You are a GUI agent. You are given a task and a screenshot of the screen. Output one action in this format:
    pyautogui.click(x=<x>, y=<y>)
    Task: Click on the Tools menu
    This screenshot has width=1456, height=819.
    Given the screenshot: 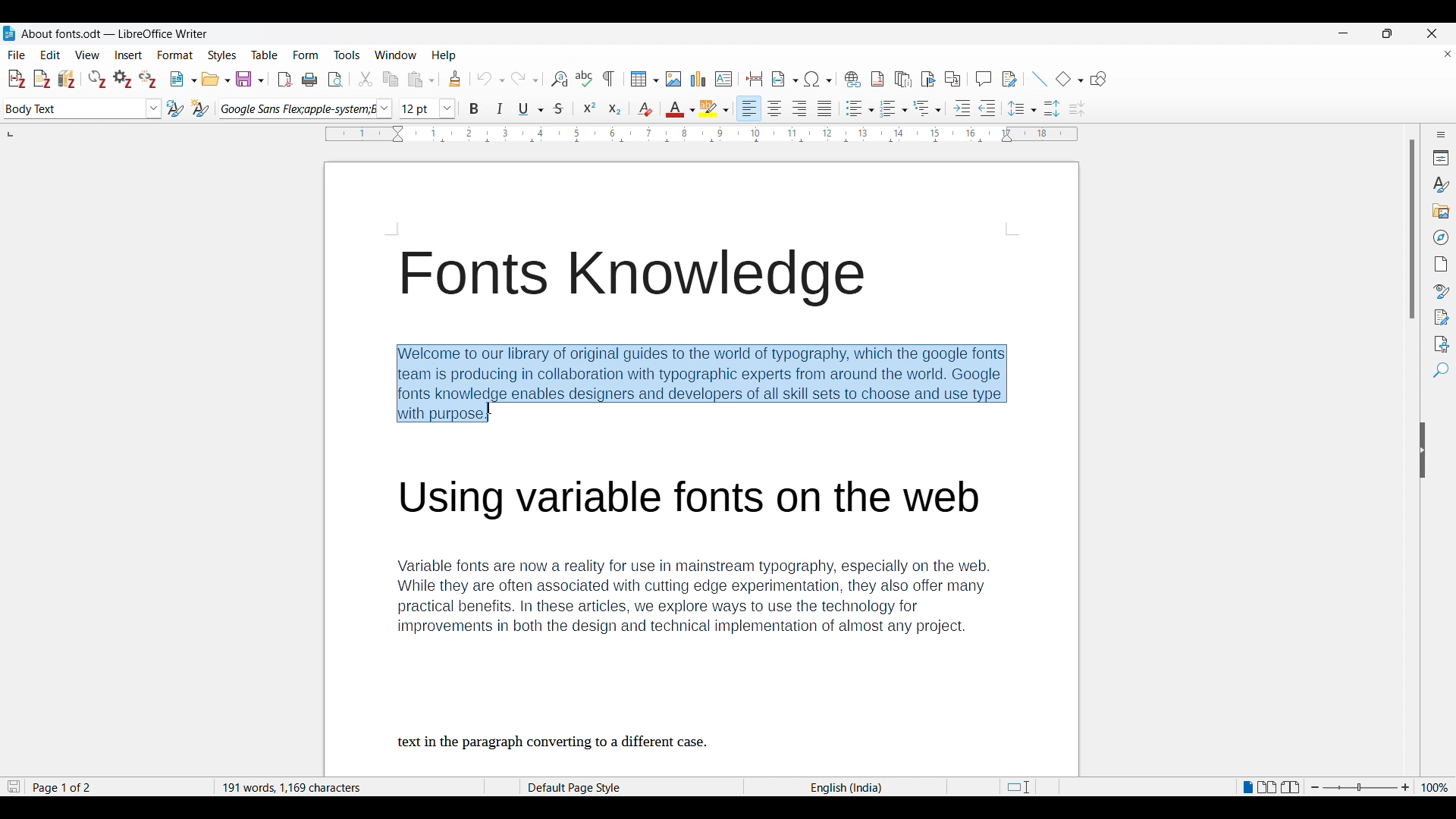 What is the action you would take?
    pyautogui.click(x=347, y=55)
    